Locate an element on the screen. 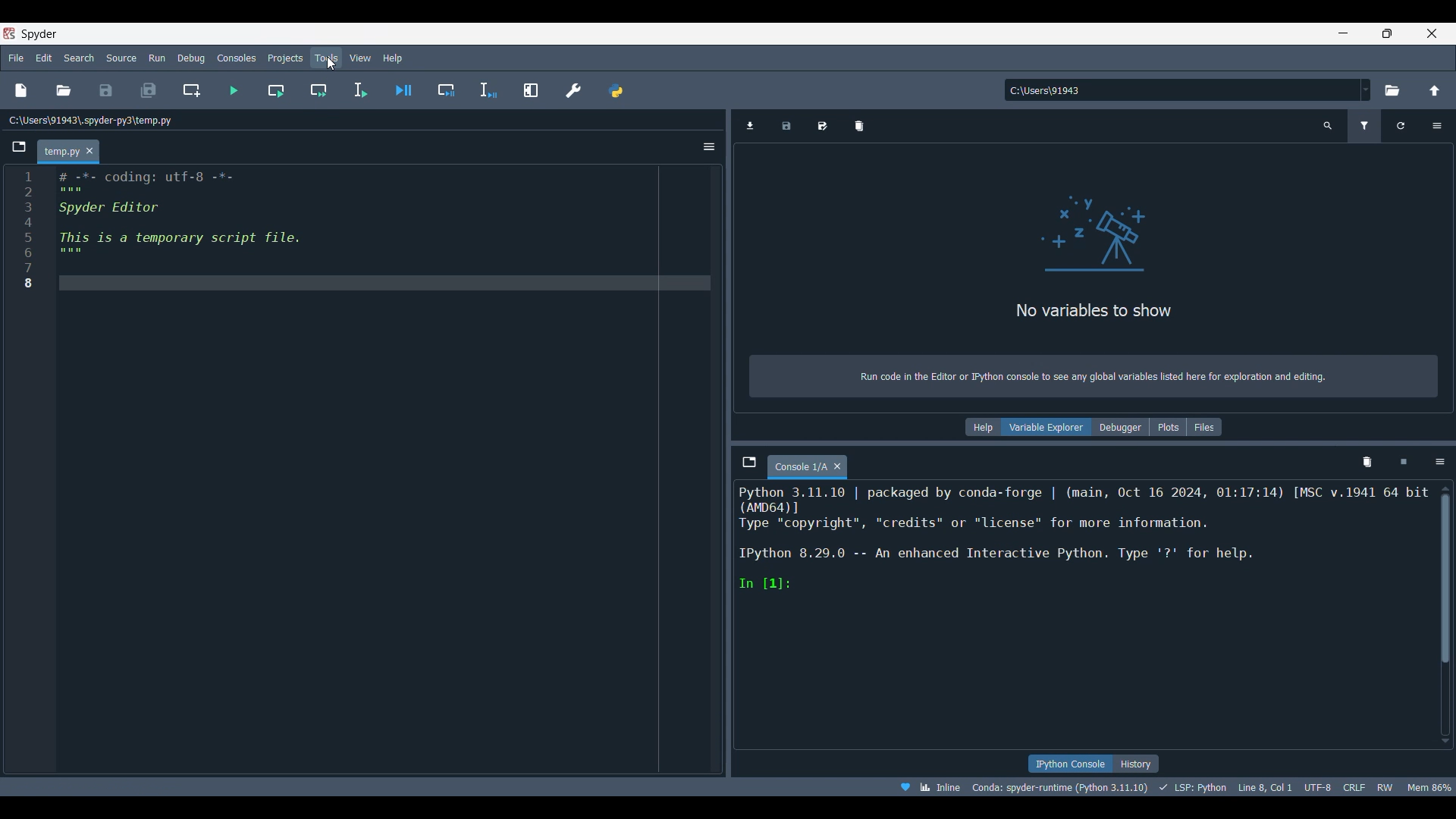 The image size is (1456, 819). Close tab is located at coordinates (89, 152).